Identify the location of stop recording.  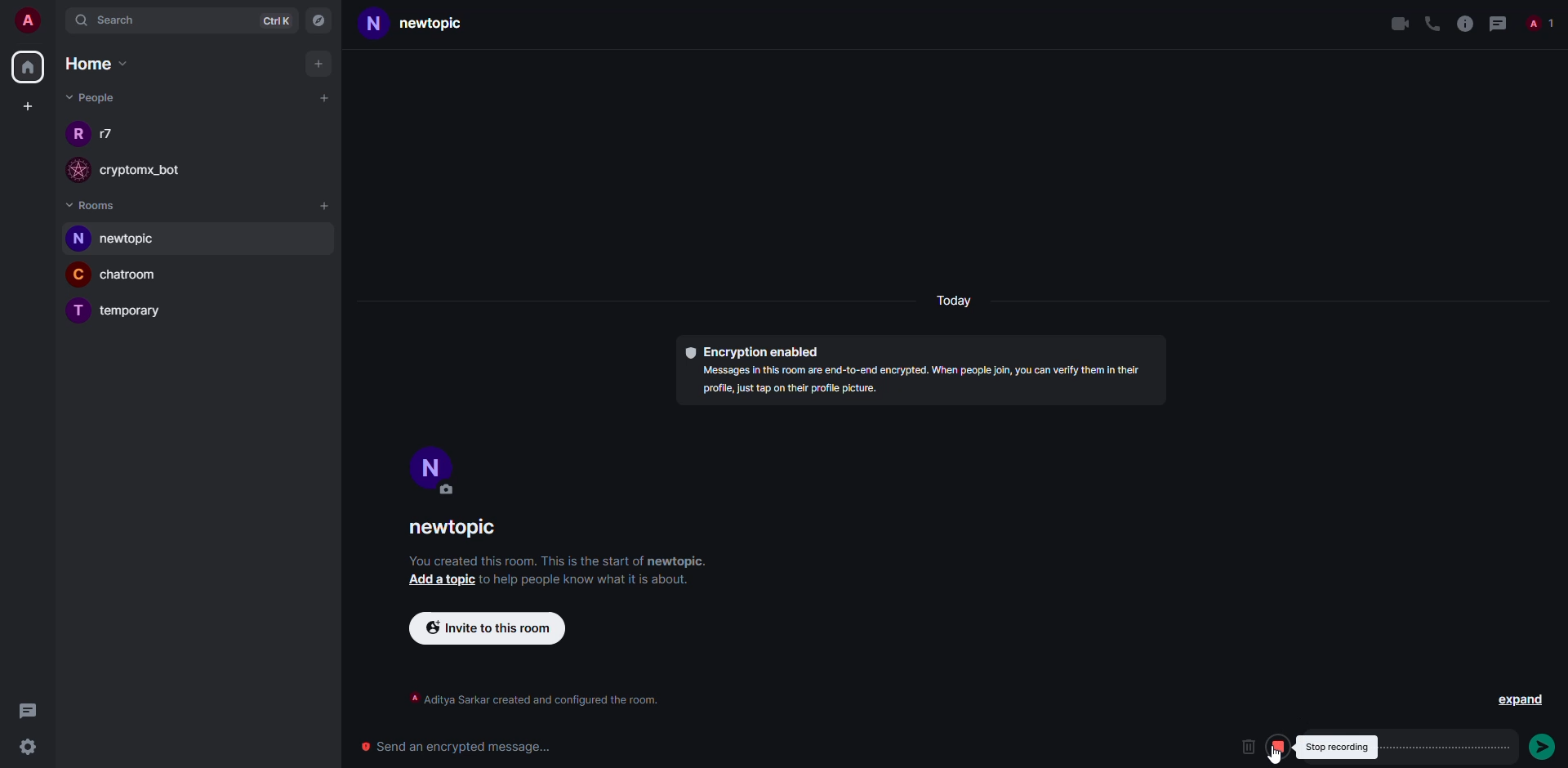
(1275, 745).